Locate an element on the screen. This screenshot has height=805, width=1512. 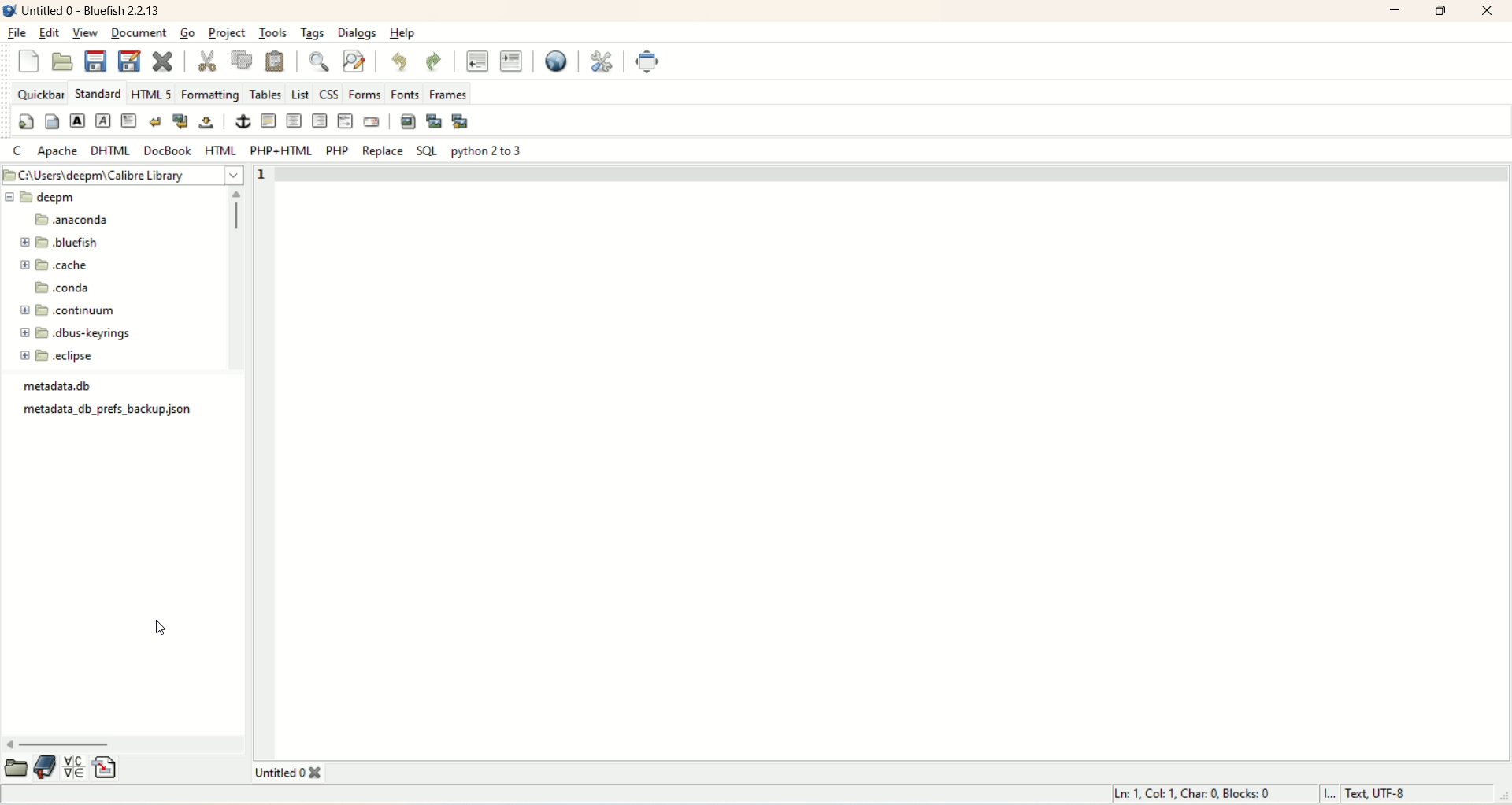
title is located at coordinates (93, 13).